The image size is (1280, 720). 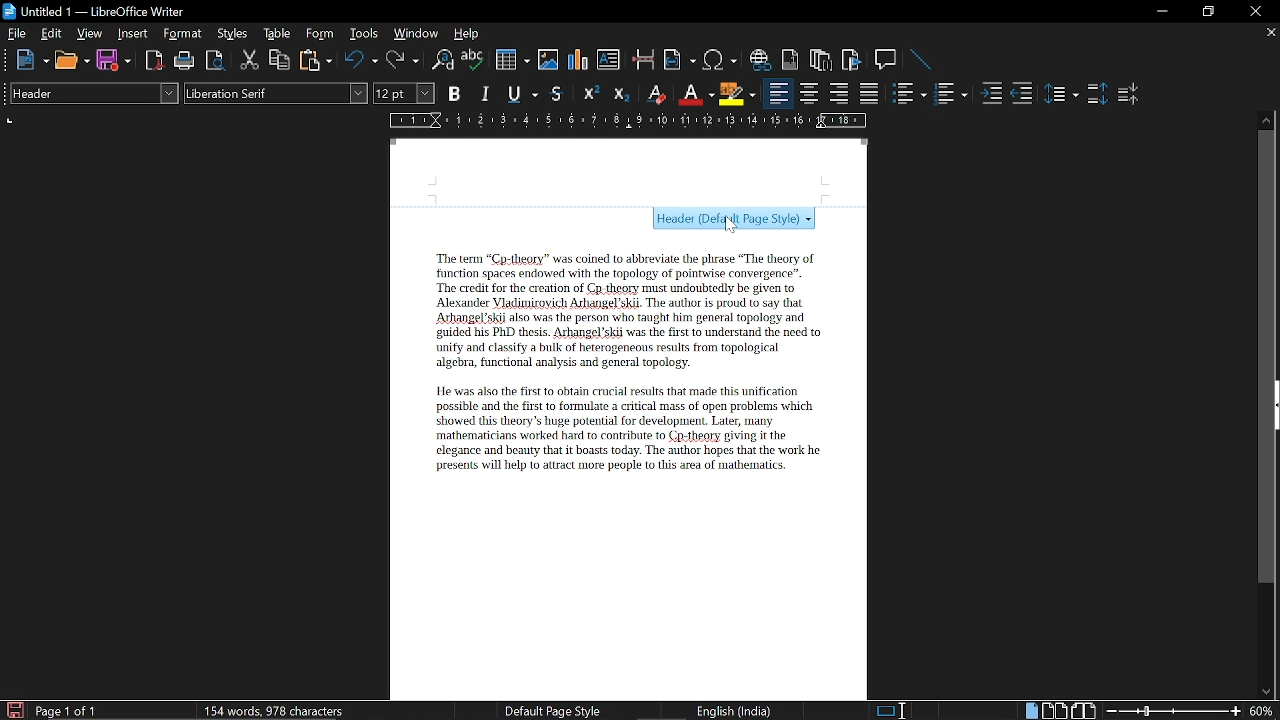 What do you see at coordinates (214, 61) in the screenshot?
I see `Toggle preview` at bounding box center [214, 61].